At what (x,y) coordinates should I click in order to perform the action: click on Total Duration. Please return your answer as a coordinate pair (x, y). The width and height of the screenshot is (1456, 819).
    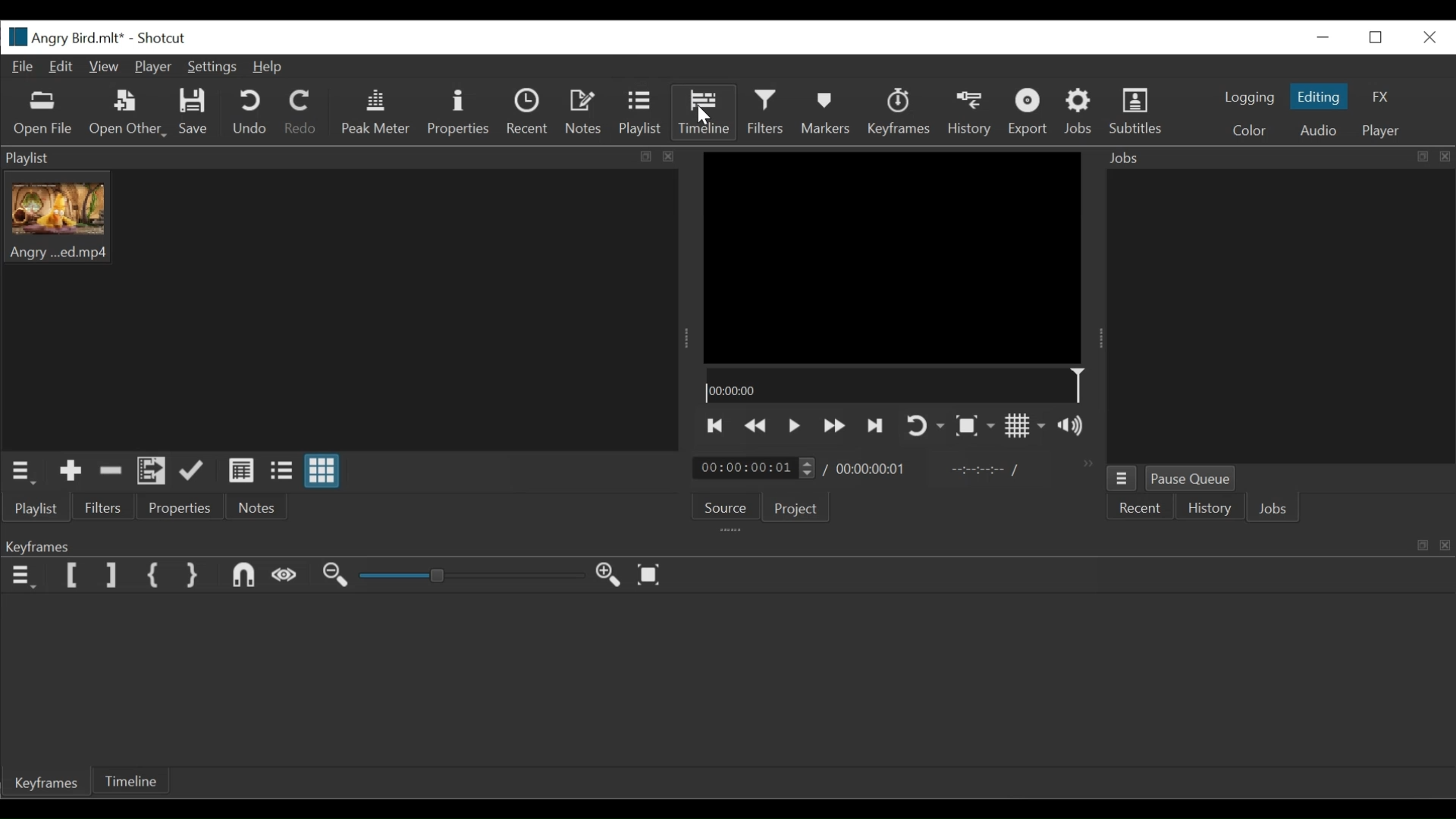
    Looking at the image, I should click on (874, 470).